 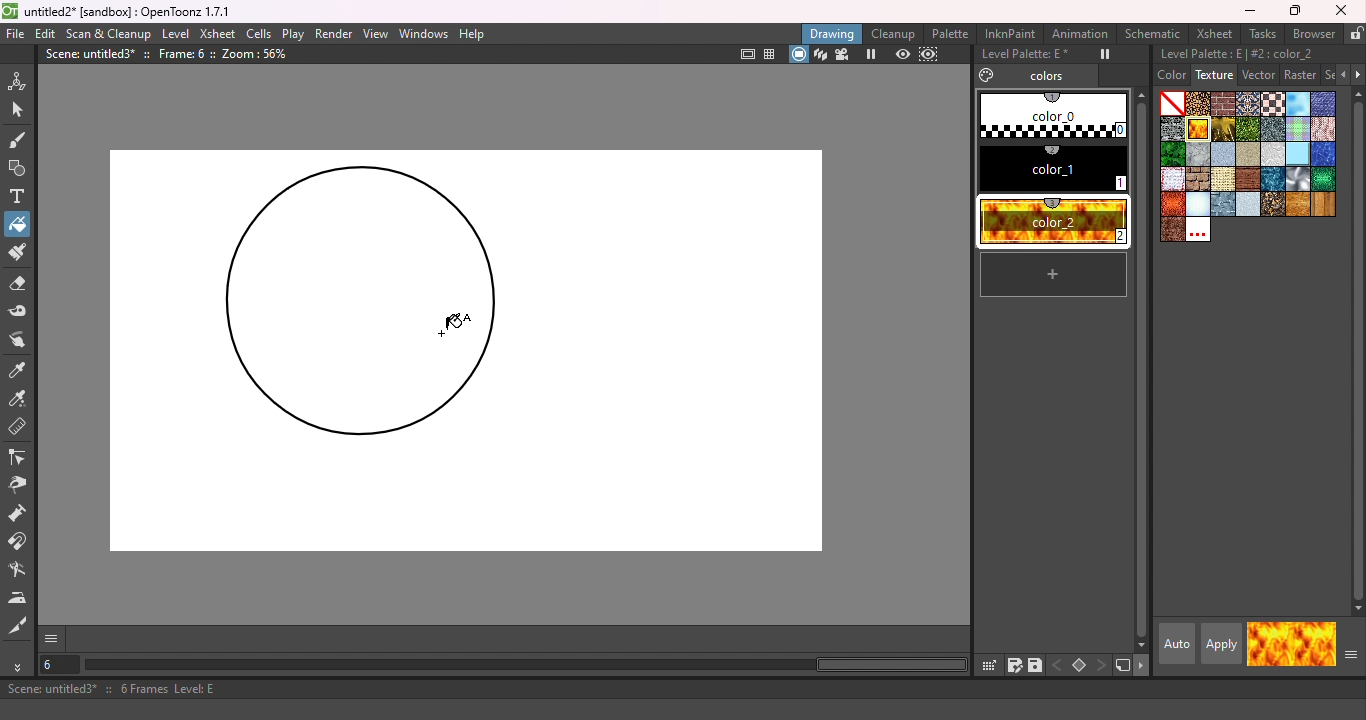 What do you see at coordinates (46, 34) in the screenshot?
I see `Edit` at bounding box center [46, 34].